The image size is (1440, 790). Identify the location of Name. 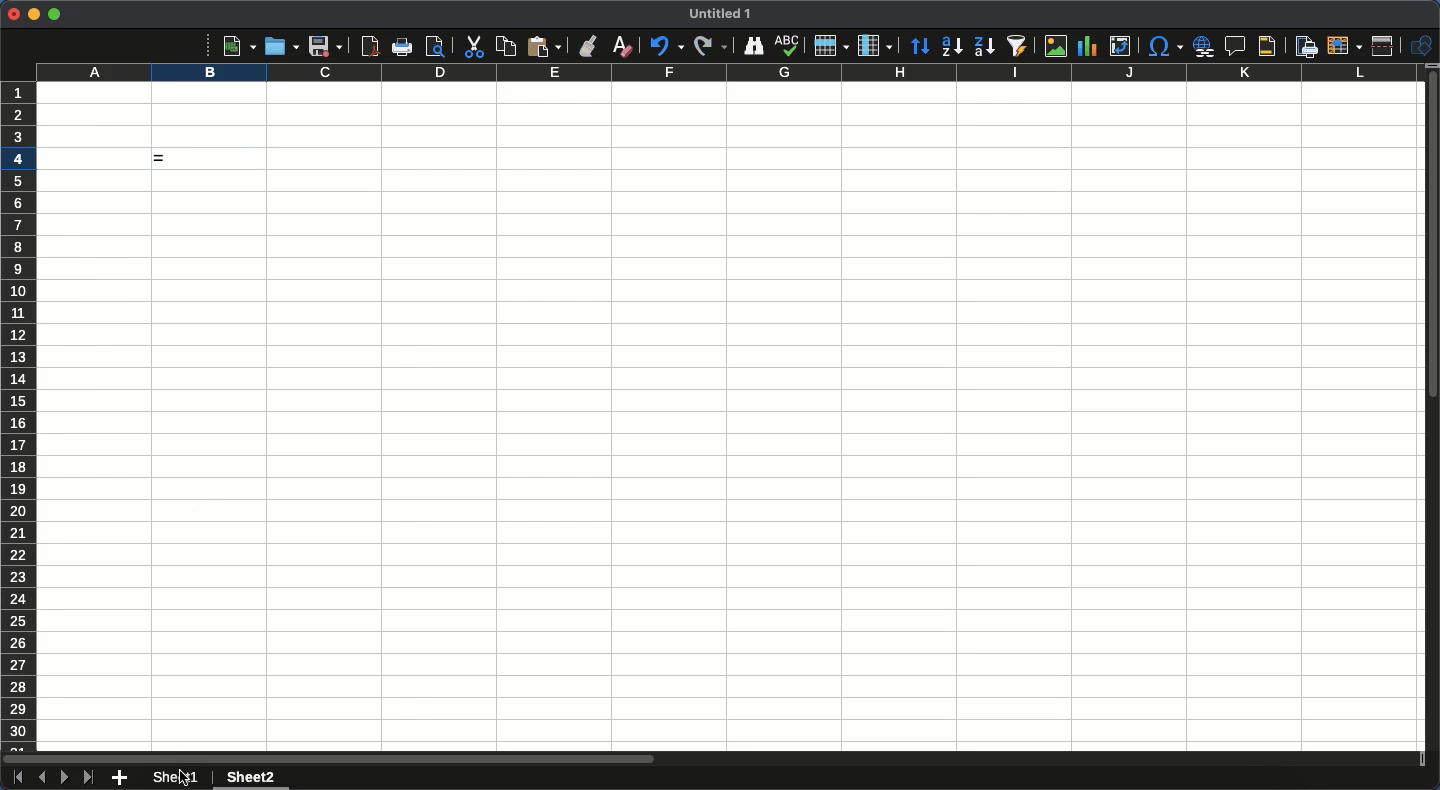
(723, 13).